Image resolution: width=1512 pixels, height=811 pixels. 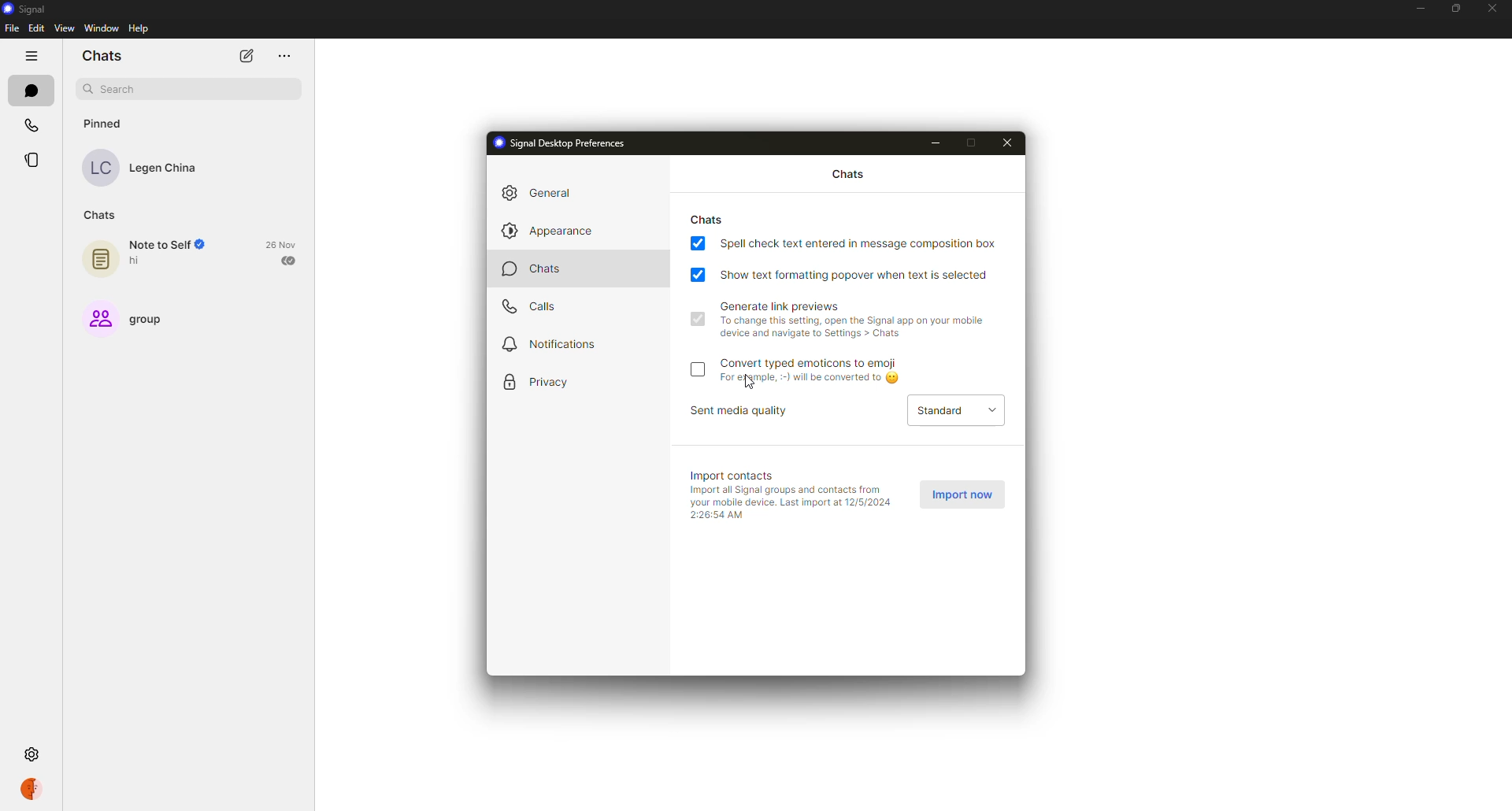 What do you see at coordinates (102, 56) in the screenshot?
I see `chats` at bounding box center [102, 56].